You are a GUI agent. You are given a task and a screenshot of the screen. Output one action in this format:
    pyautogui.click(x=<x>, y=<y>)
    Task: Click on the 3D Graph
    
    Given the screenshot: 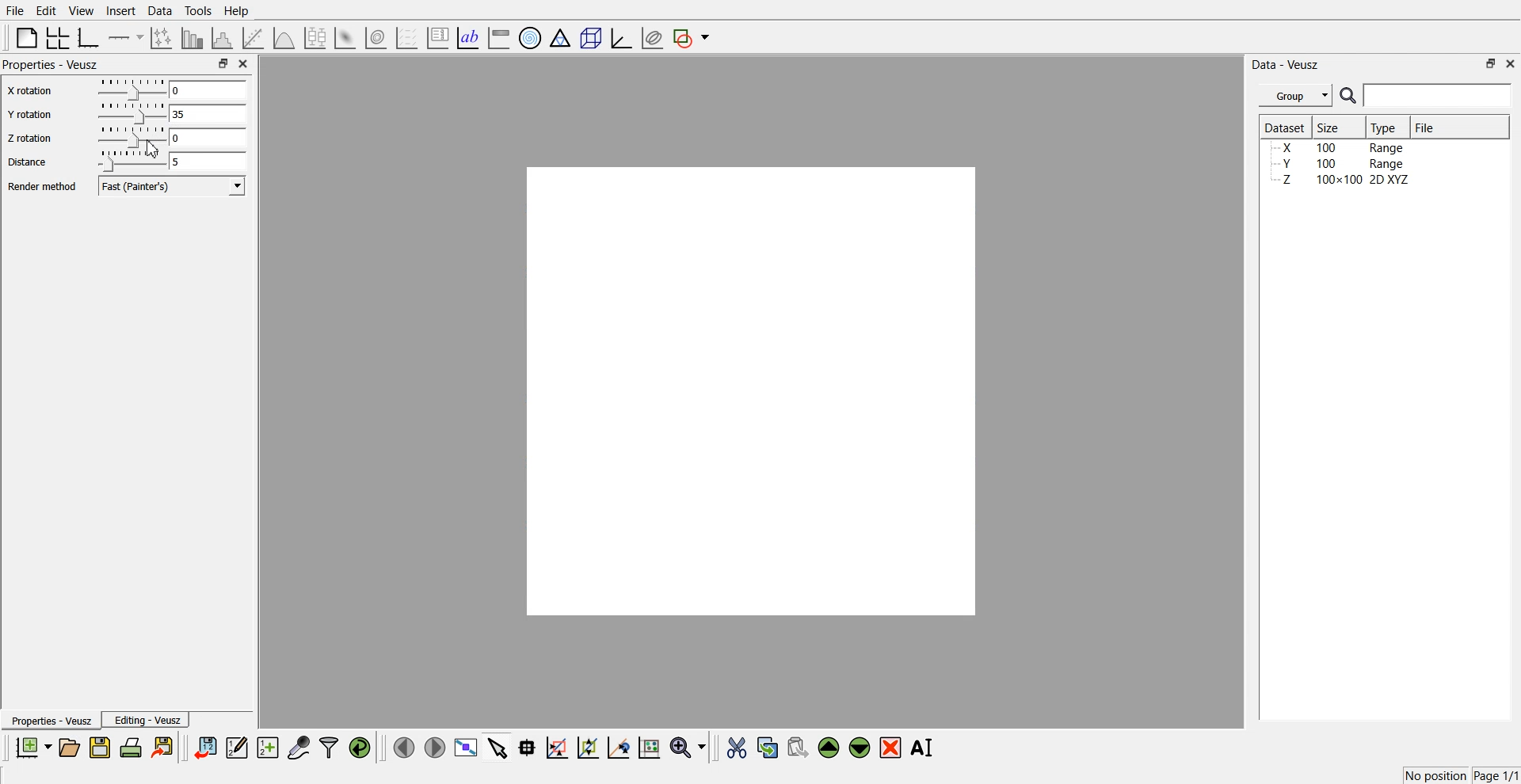 What is the action you would take?
    pyautogui.click(x=621, y=38)
    